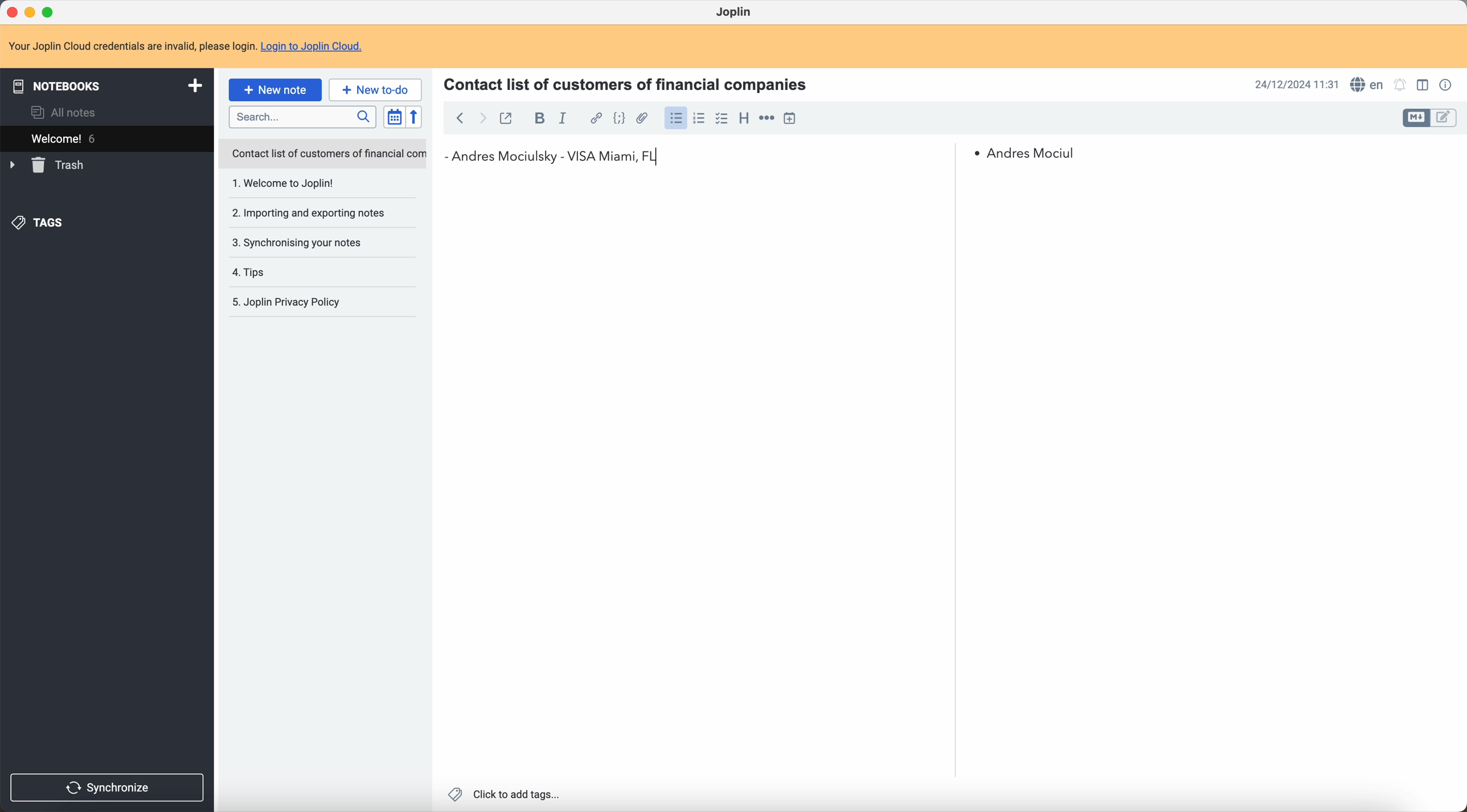  Describe the element at coordinates (702, 481) in the screenshot. I see `body text` at that location.